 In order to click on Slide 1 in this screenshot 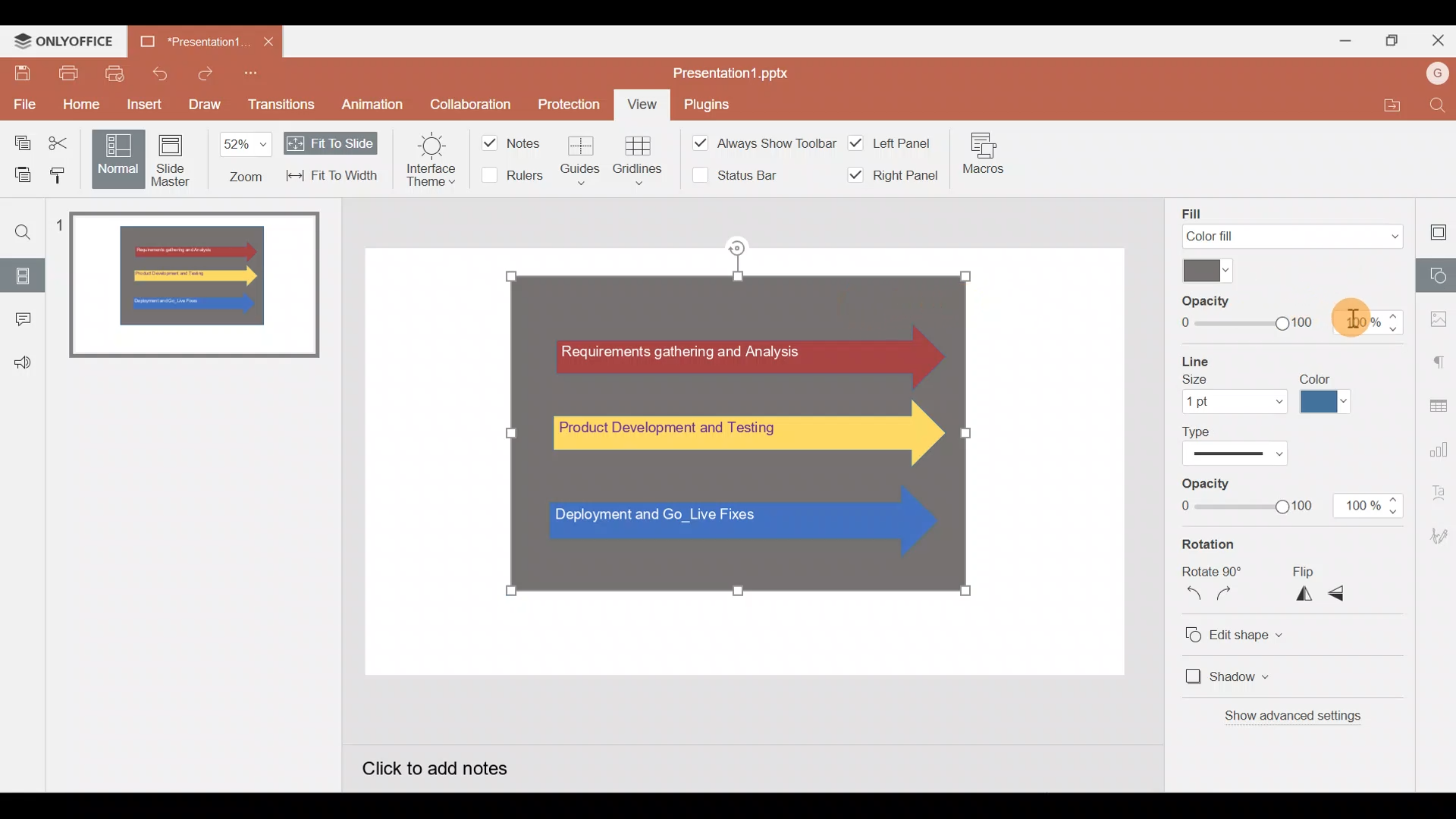, I will do `click(196, 287)`.